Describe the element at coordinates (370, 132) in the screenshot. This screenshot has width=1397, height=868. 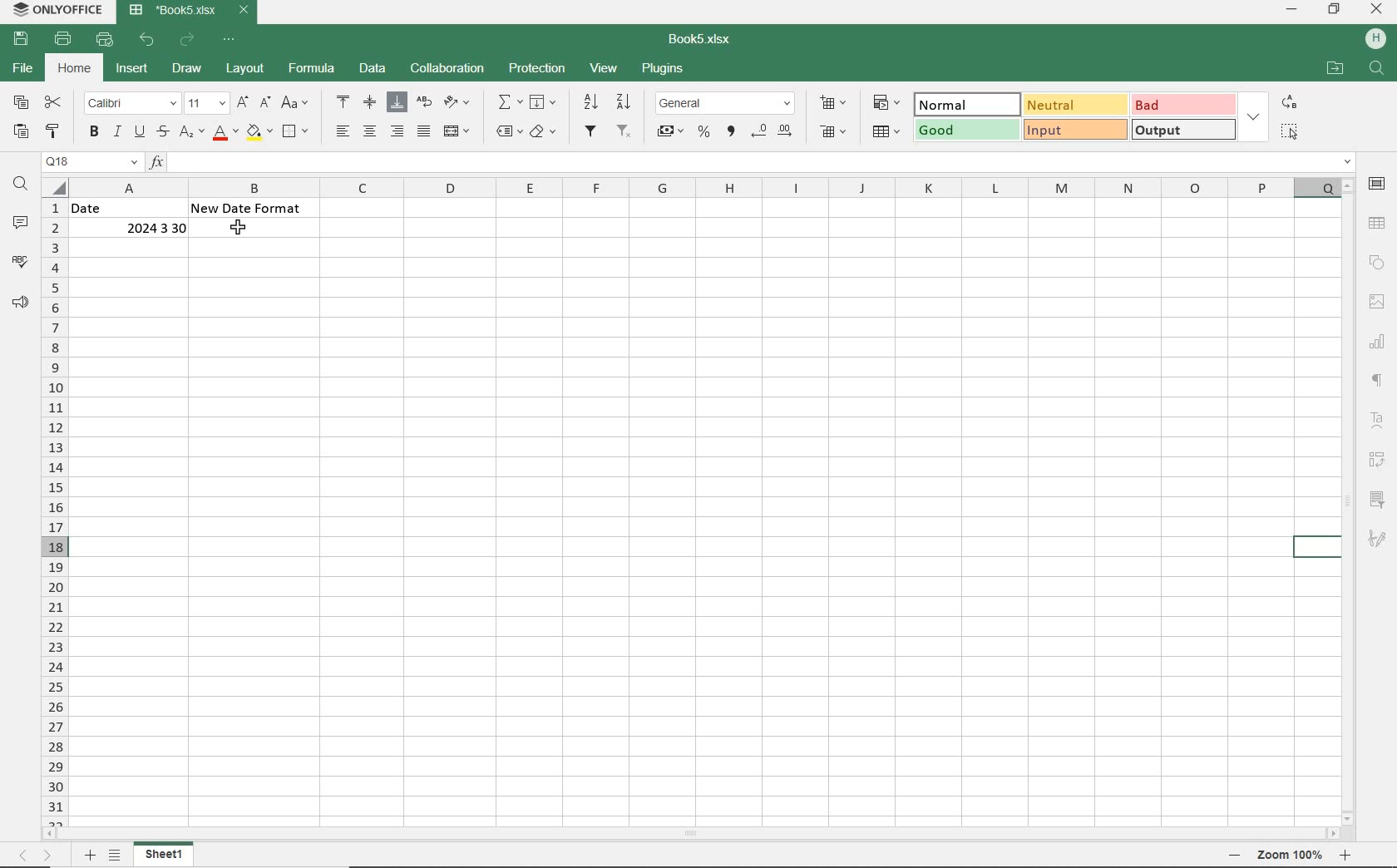
I see `ALIGN CENTER` at that location.